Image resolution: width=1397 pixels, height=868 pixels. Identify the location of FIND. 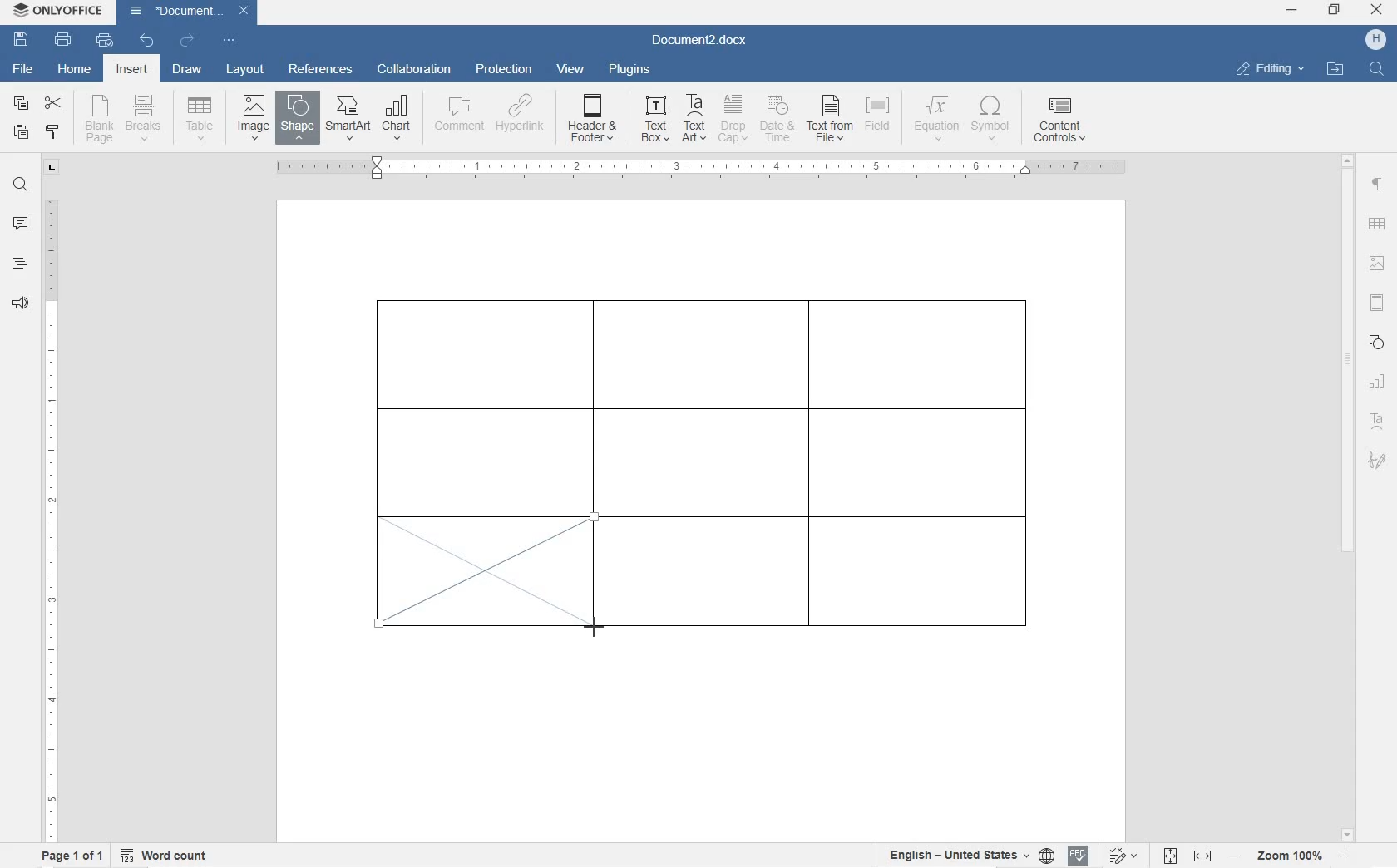
(1378, 68).